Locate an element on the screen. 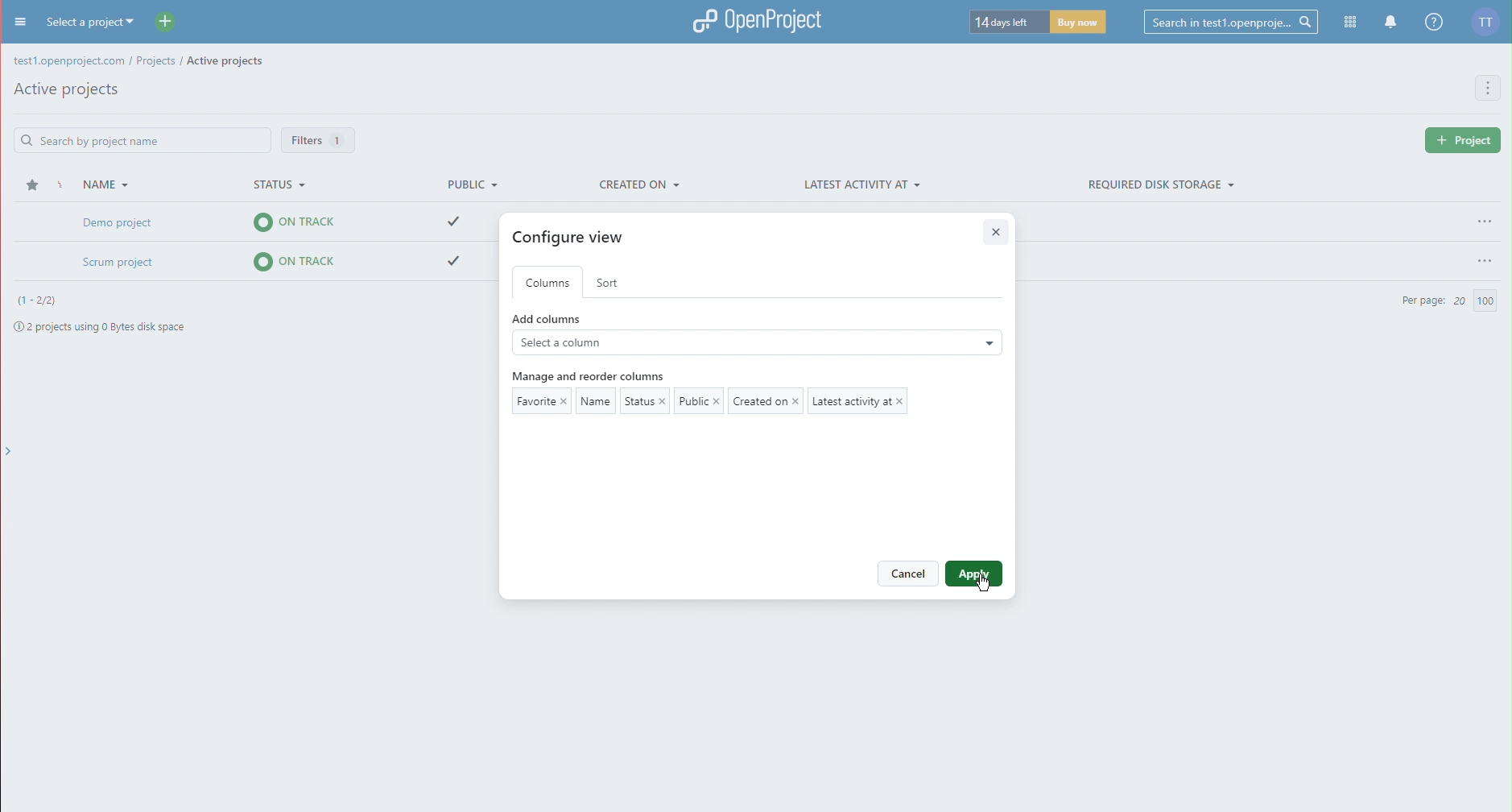  Per Page is located at coordinates (1448, 300).